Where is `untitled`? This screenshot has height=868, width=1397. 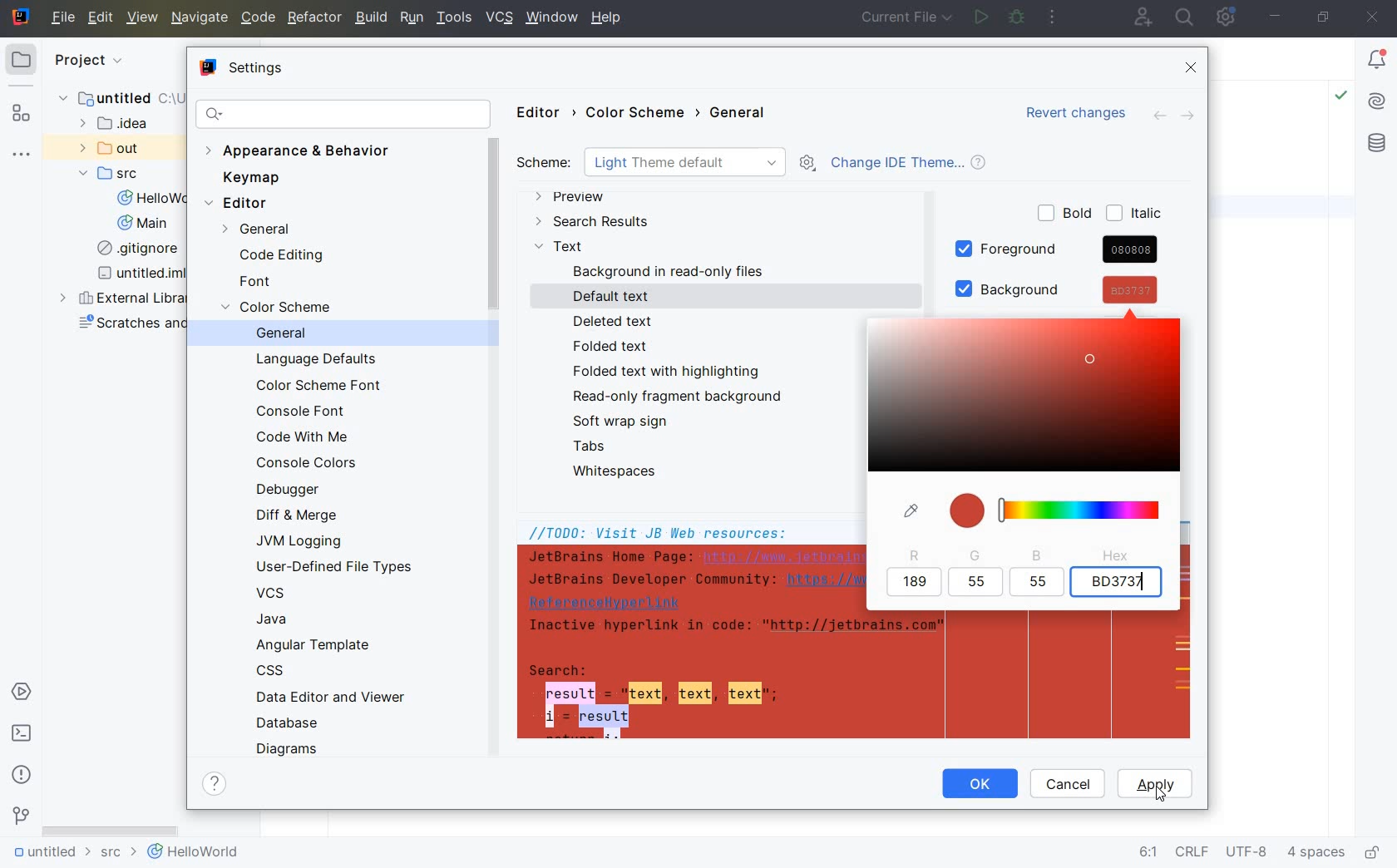 untitled is located at coordinates (144, 274).